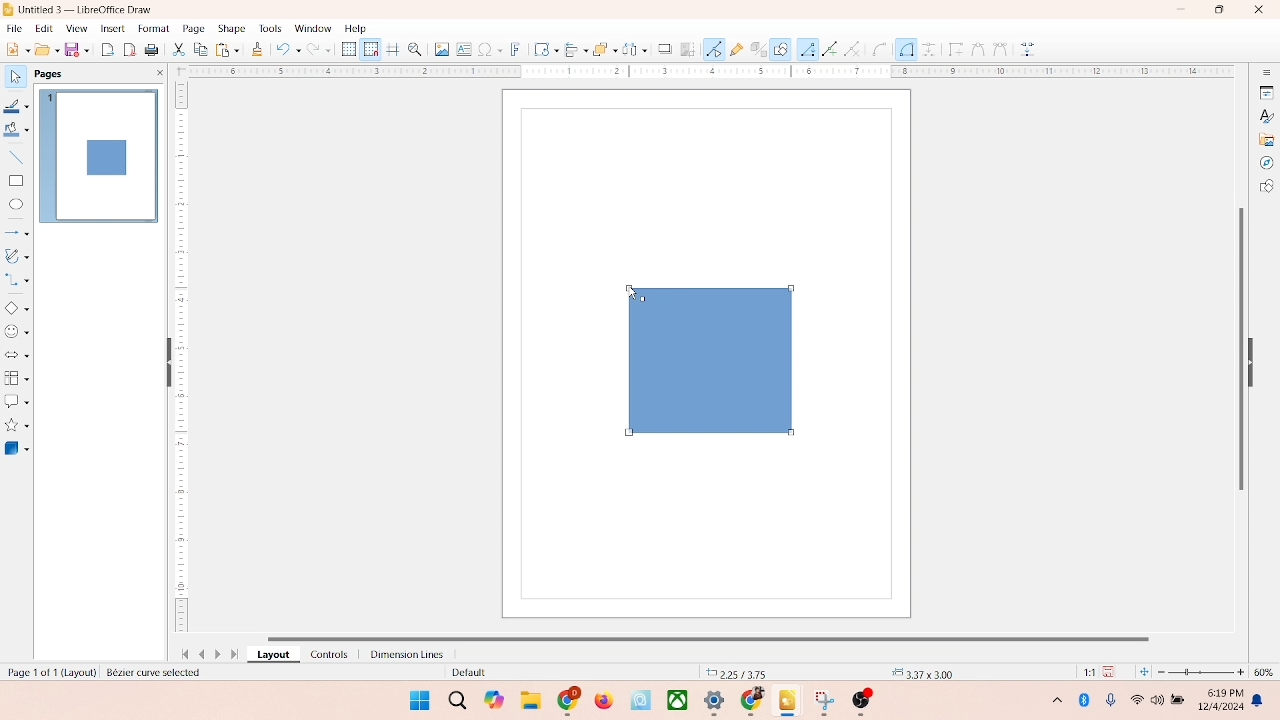 Image resolution: width=1280 pixels, height=720 pixels. I want to click on sidebar settings, so click(1266, 73).